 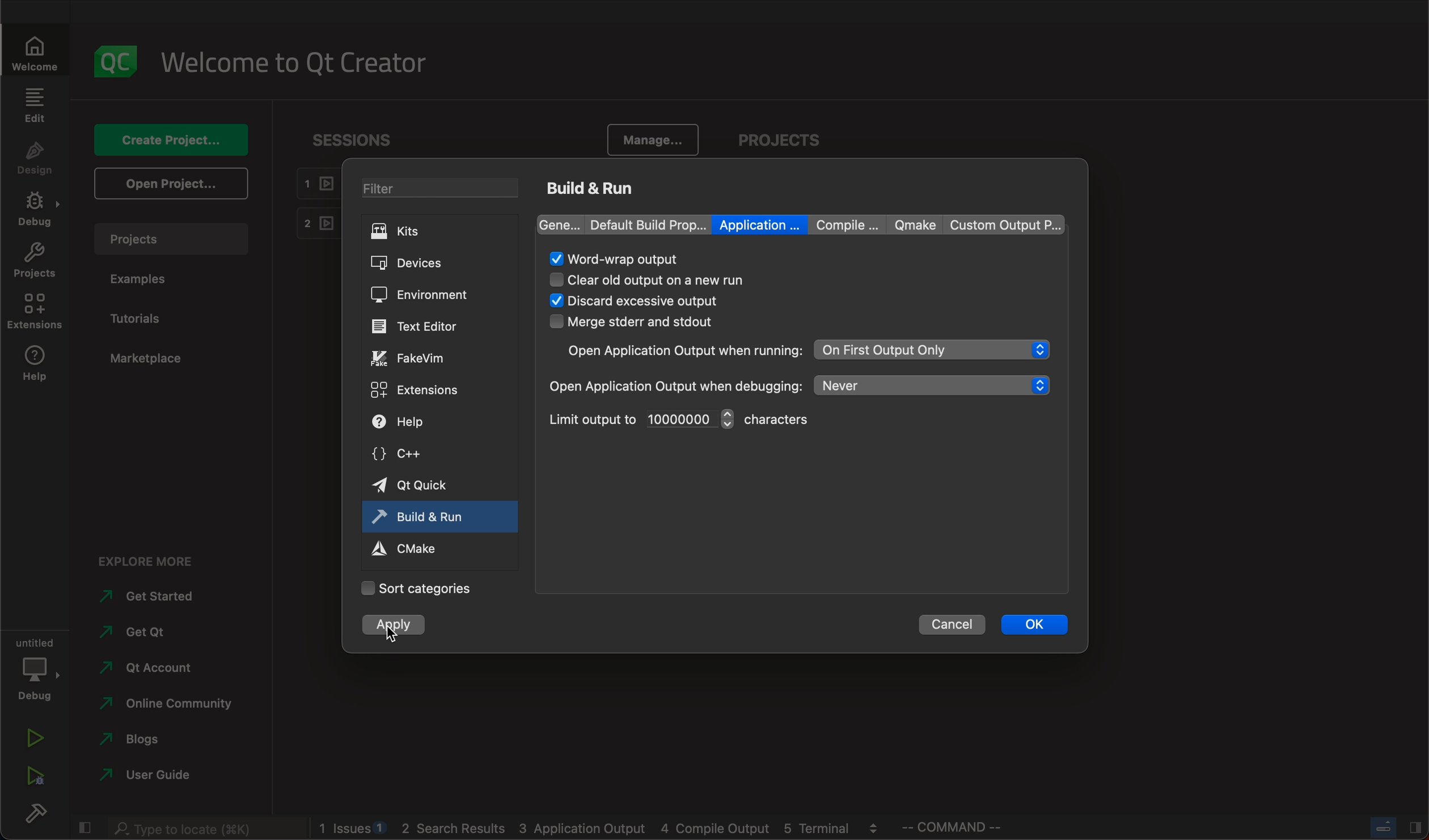 What do you see at coordinates (168, 184) in the screenshot?
I see `open` at bounding box center [168, 184].